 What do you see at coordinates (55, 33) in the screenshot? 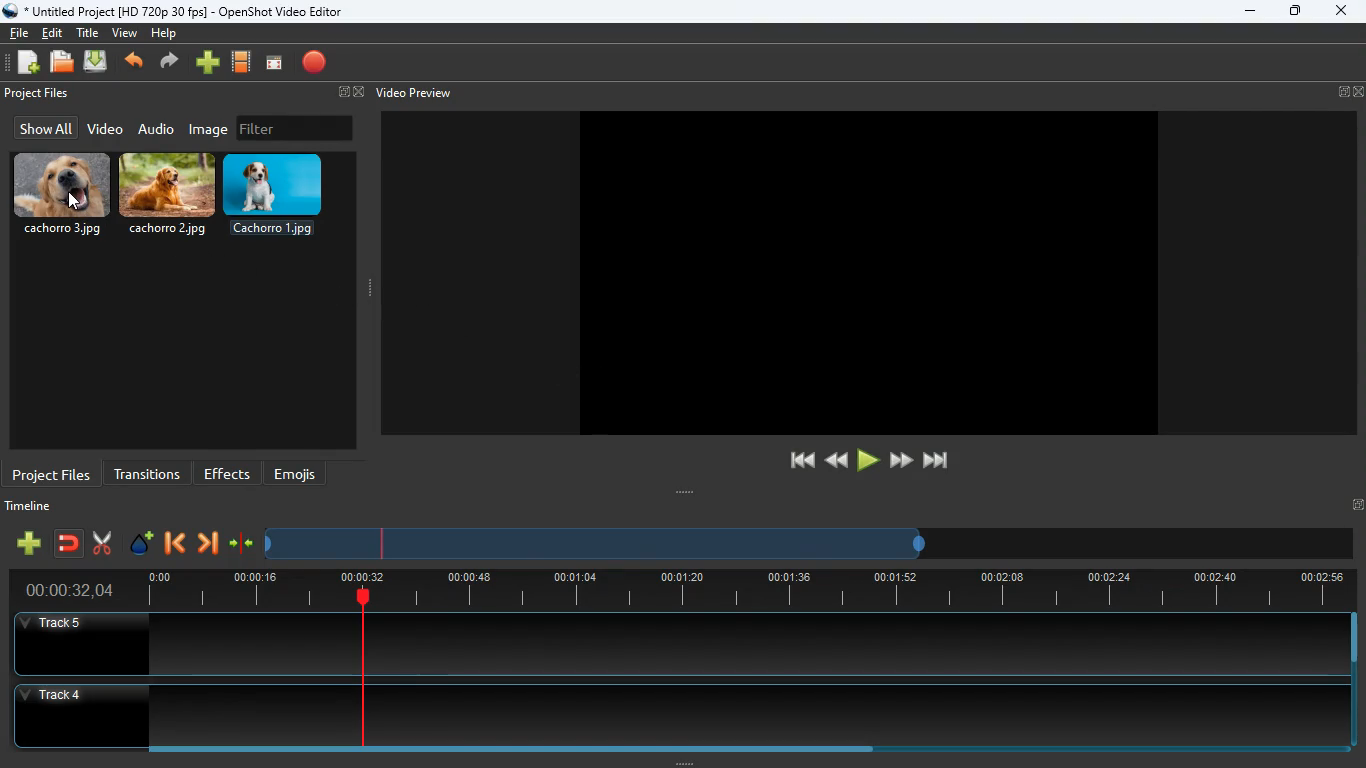
I see `edit` at bounding box center [55, 33].